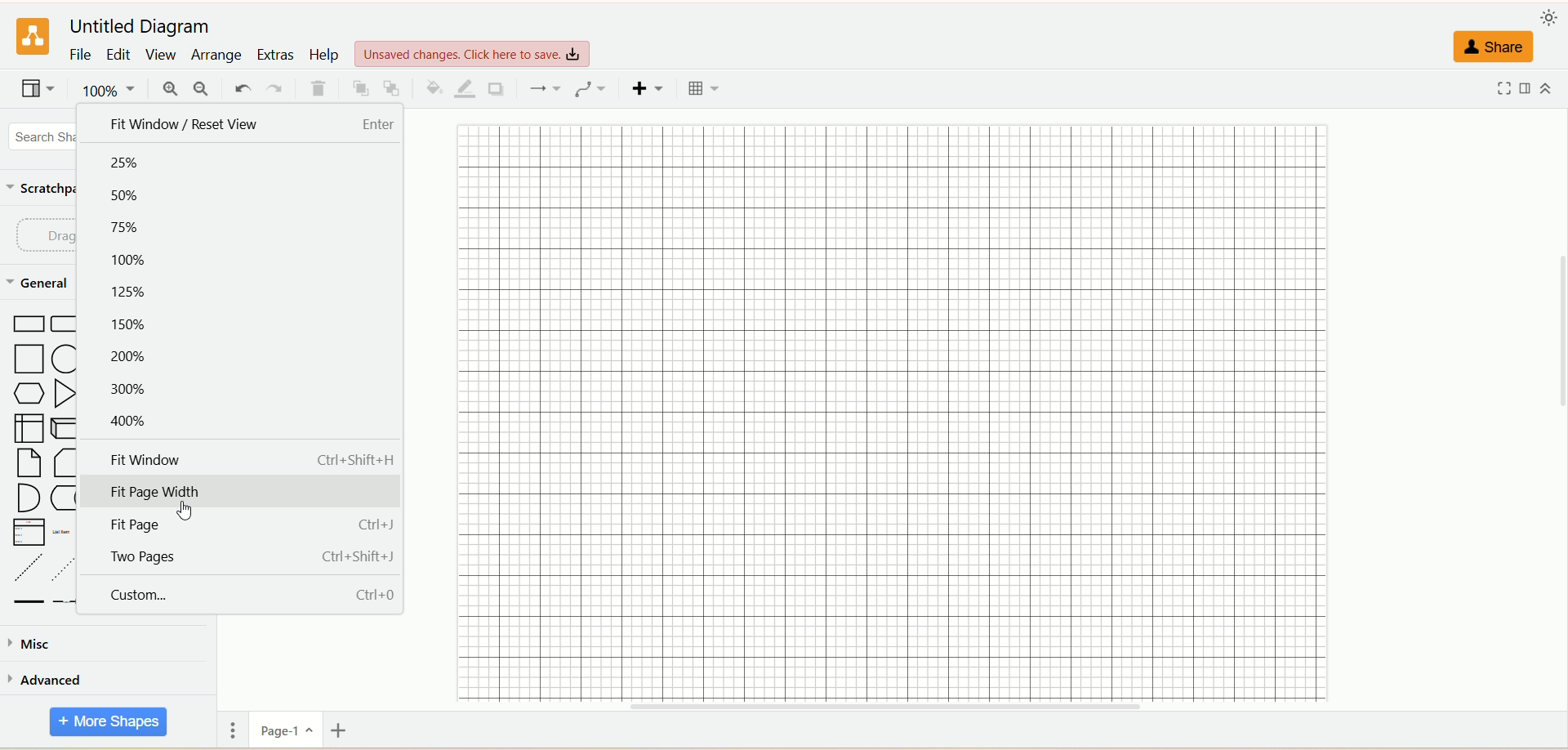  What do you see at coordinates (184, 511) in the screenshot?
I see `cursor` at bounding box center [184, 511].